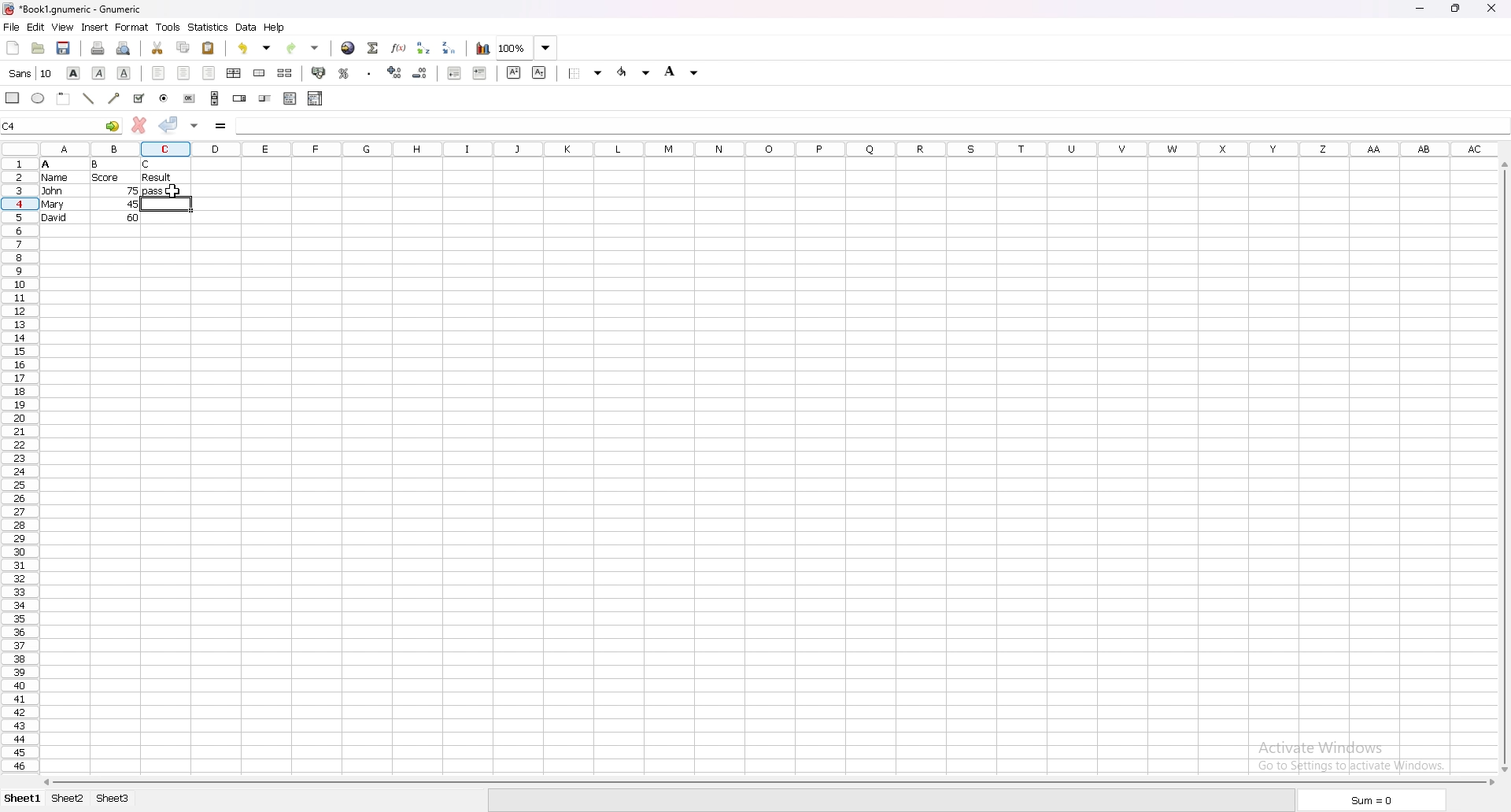 The width and height of the screenshot is (1511, 812). I want to click on background, so click(685, 72).